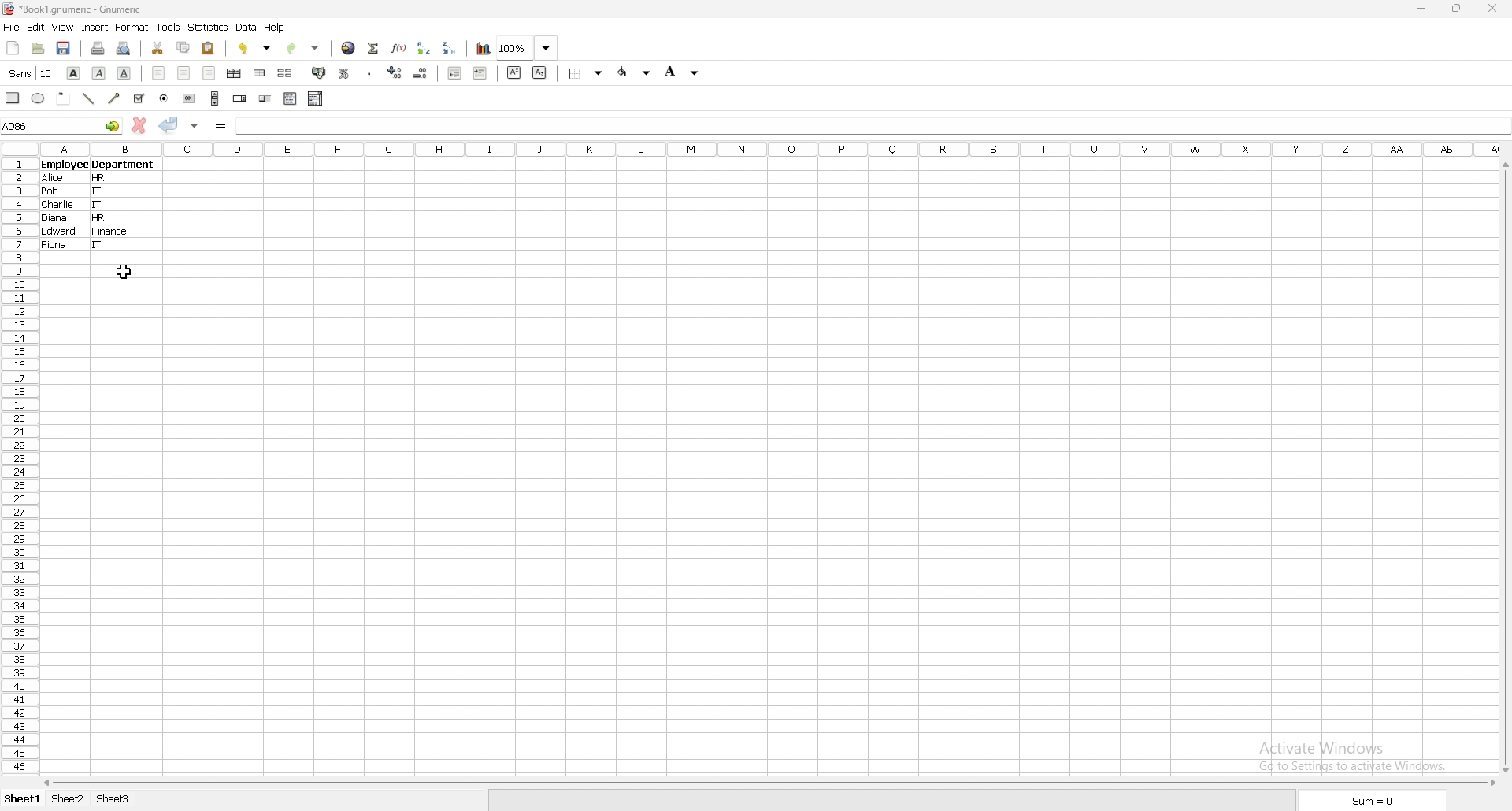 The height and width of the screenshot is (811, 1512). What do you see at coordinates (635, 72) in the screenshot?
I see `foreground` at bounding box center [635, 72].